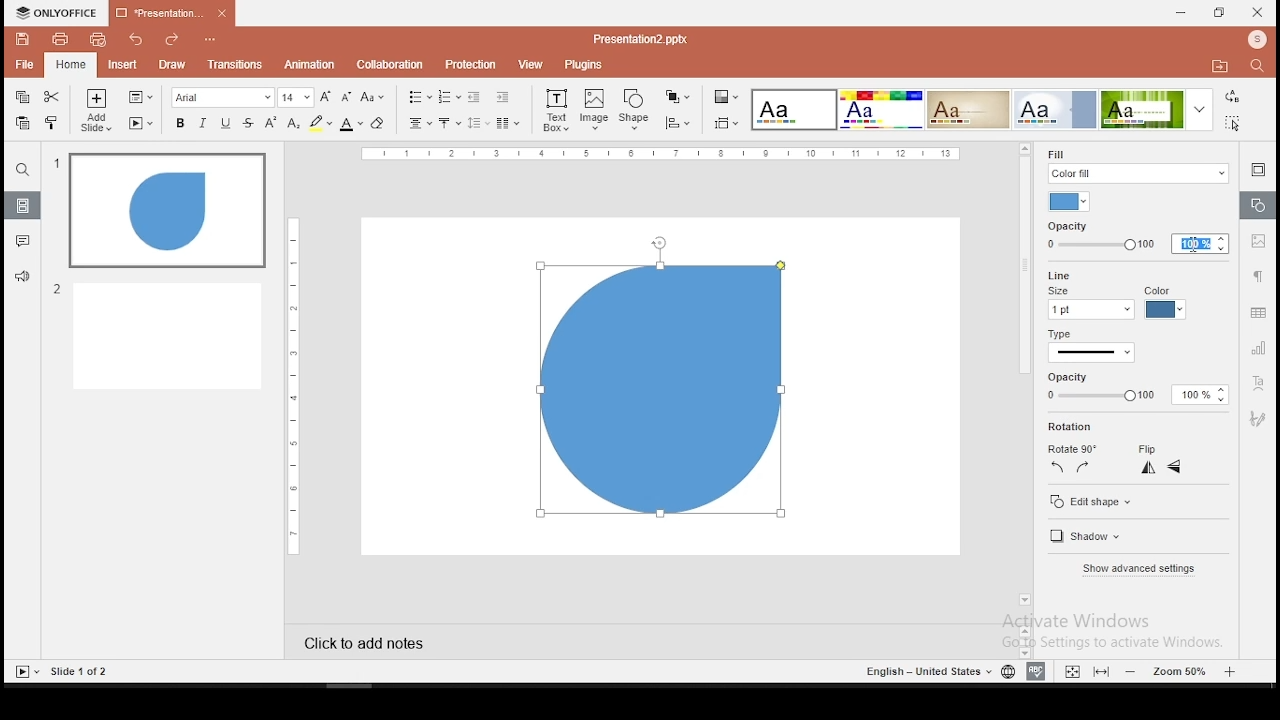 The image size is (1280, 720). What do you see at coordinates (675, 97) in the screenshot?
I see `arrange objects` at bounding box center [675, 97].